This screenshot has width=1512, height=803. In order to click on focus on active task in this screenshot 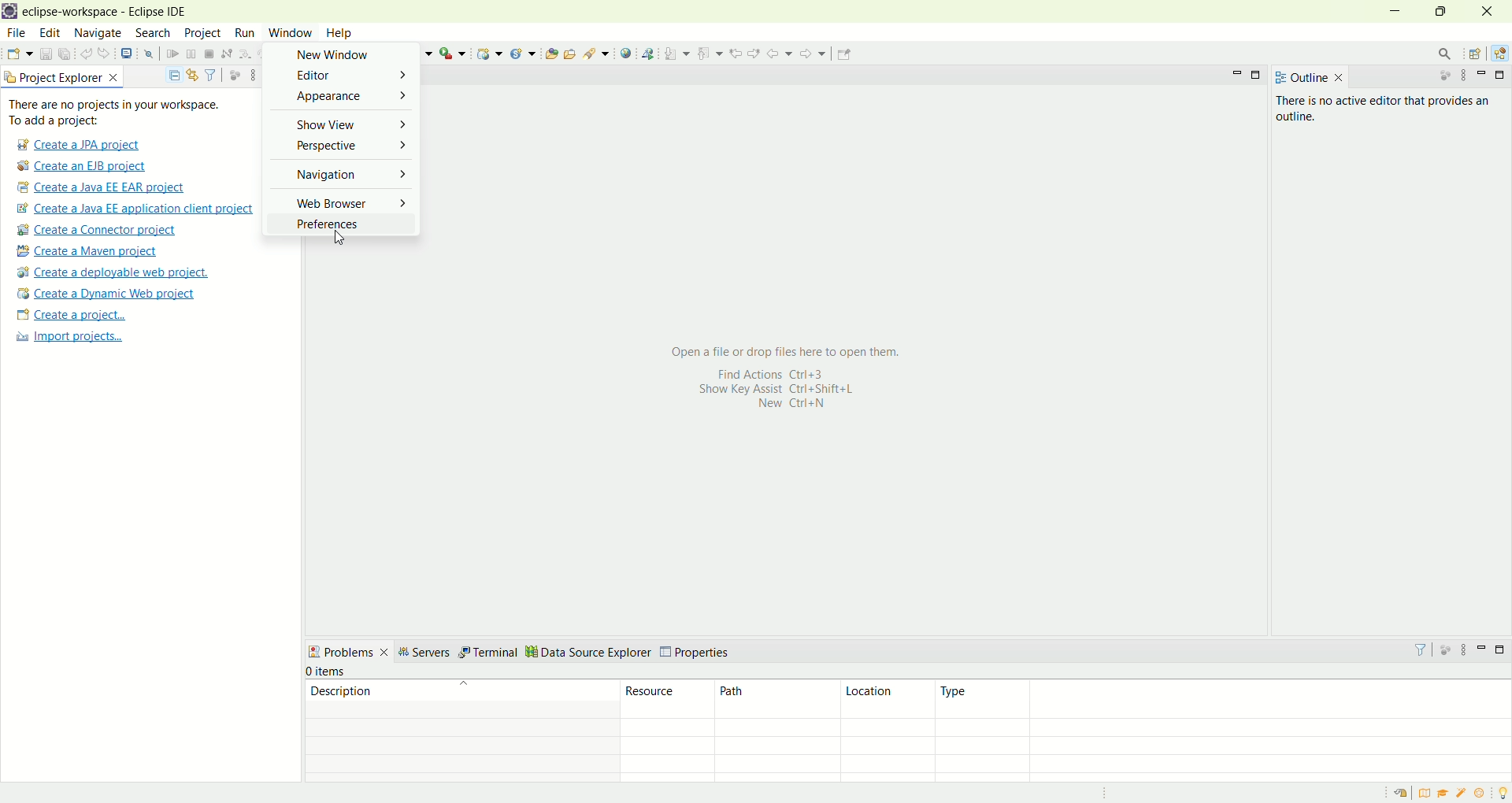, I will do `click(1437, 76)`.